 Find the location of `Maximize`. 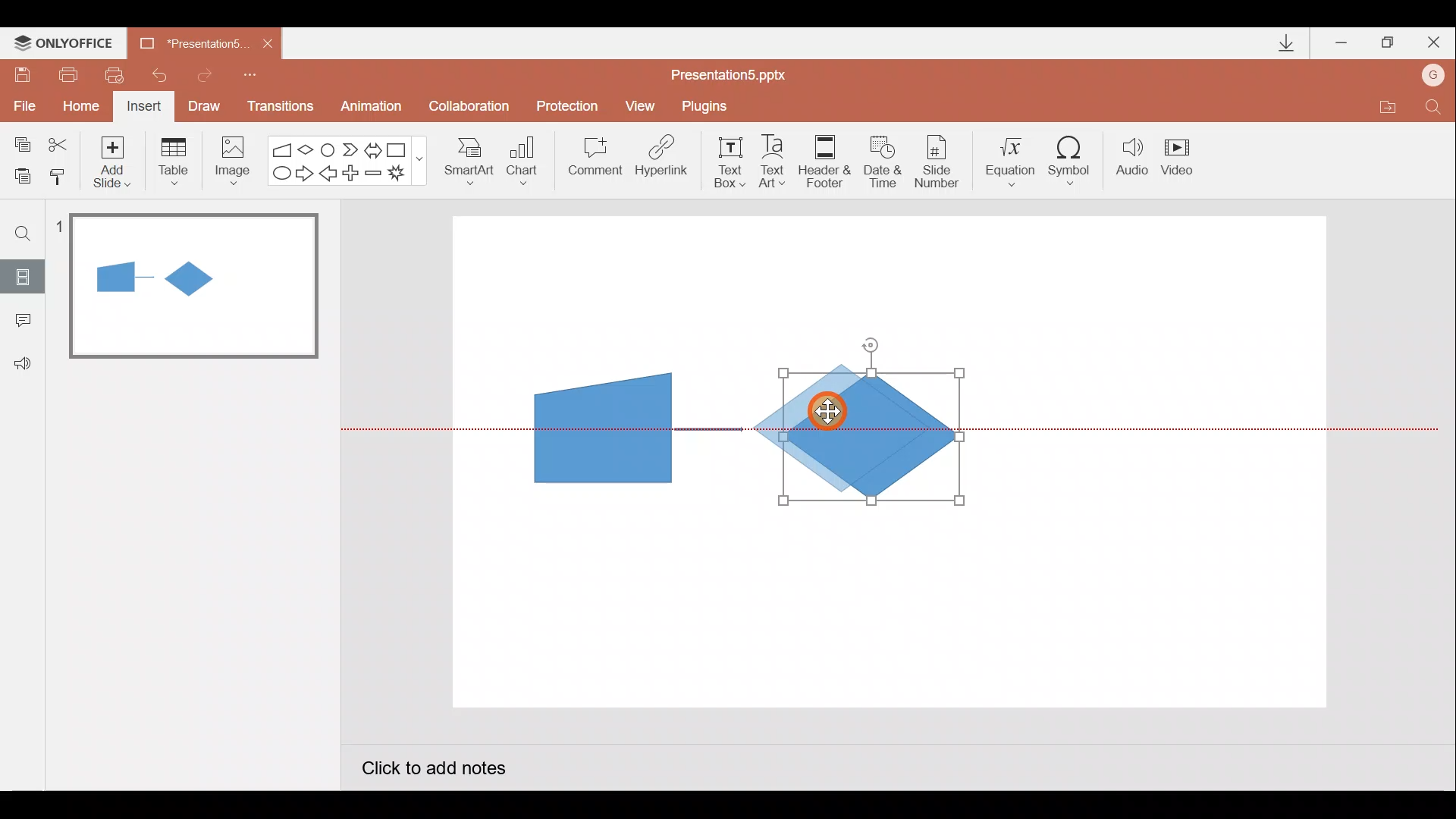

Maximize is located at coordinates (1388, 43).